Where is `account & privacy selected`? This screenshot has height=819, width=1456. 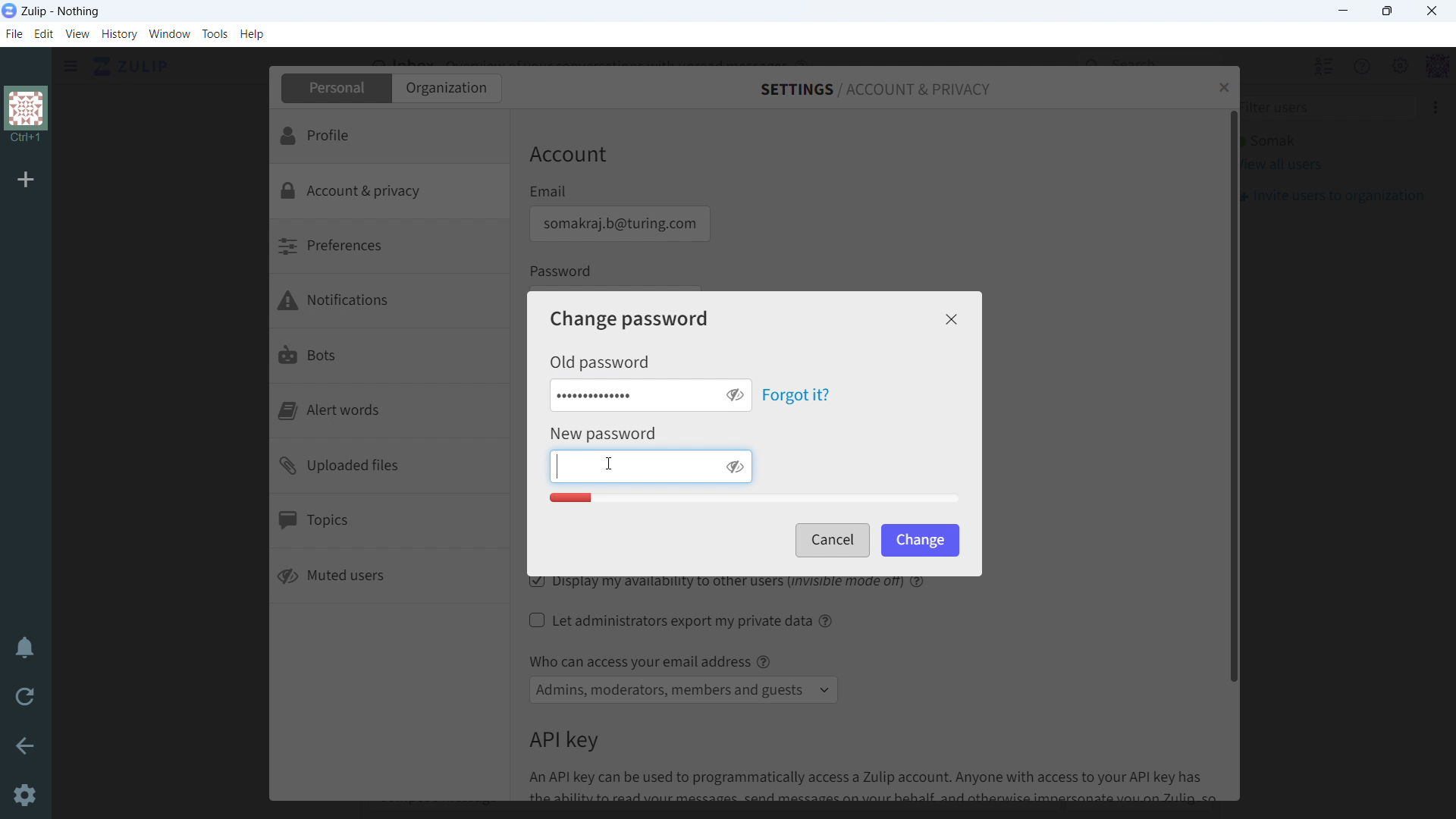
account & privacy selected is located at coordinates (388, 192).